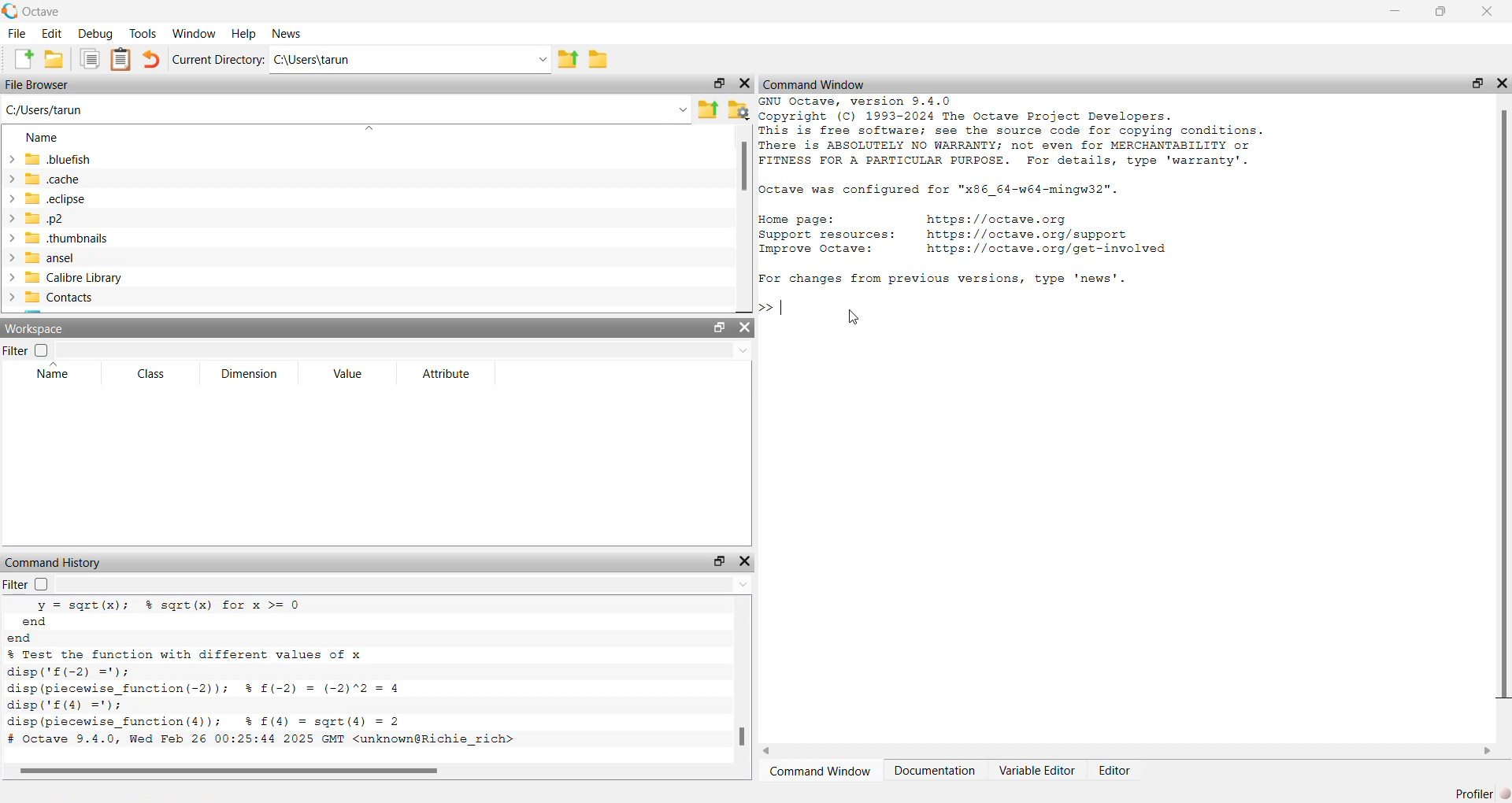 This screenshot has height=803, width=1512. Describe the element at coordinates (58, 239) in the screenshot. I see `>  thumbnails` at that location.